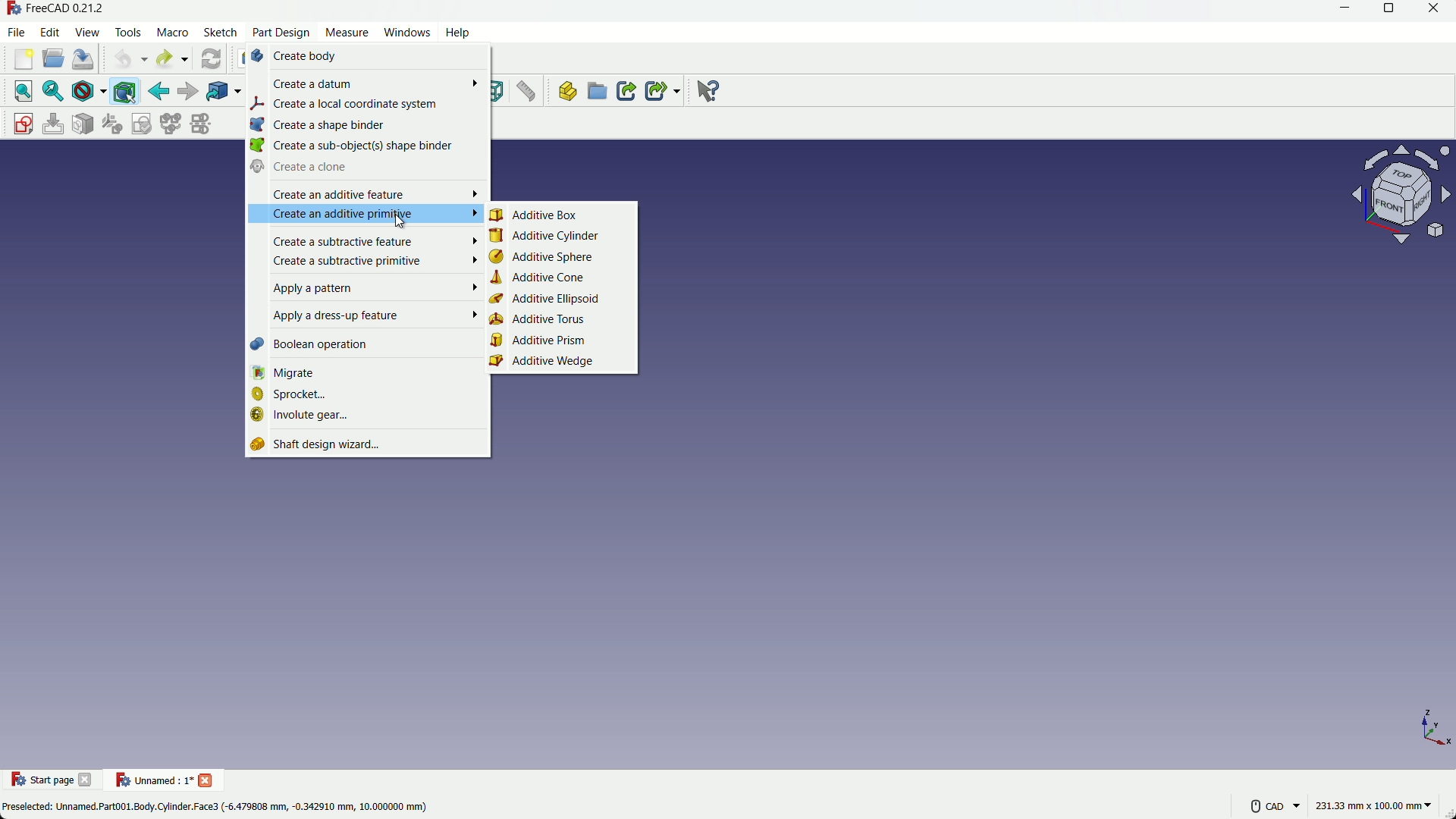  What do you see at coordinates (721, 91) in the screenshot?
I see `` at bounding box center [721, 91].